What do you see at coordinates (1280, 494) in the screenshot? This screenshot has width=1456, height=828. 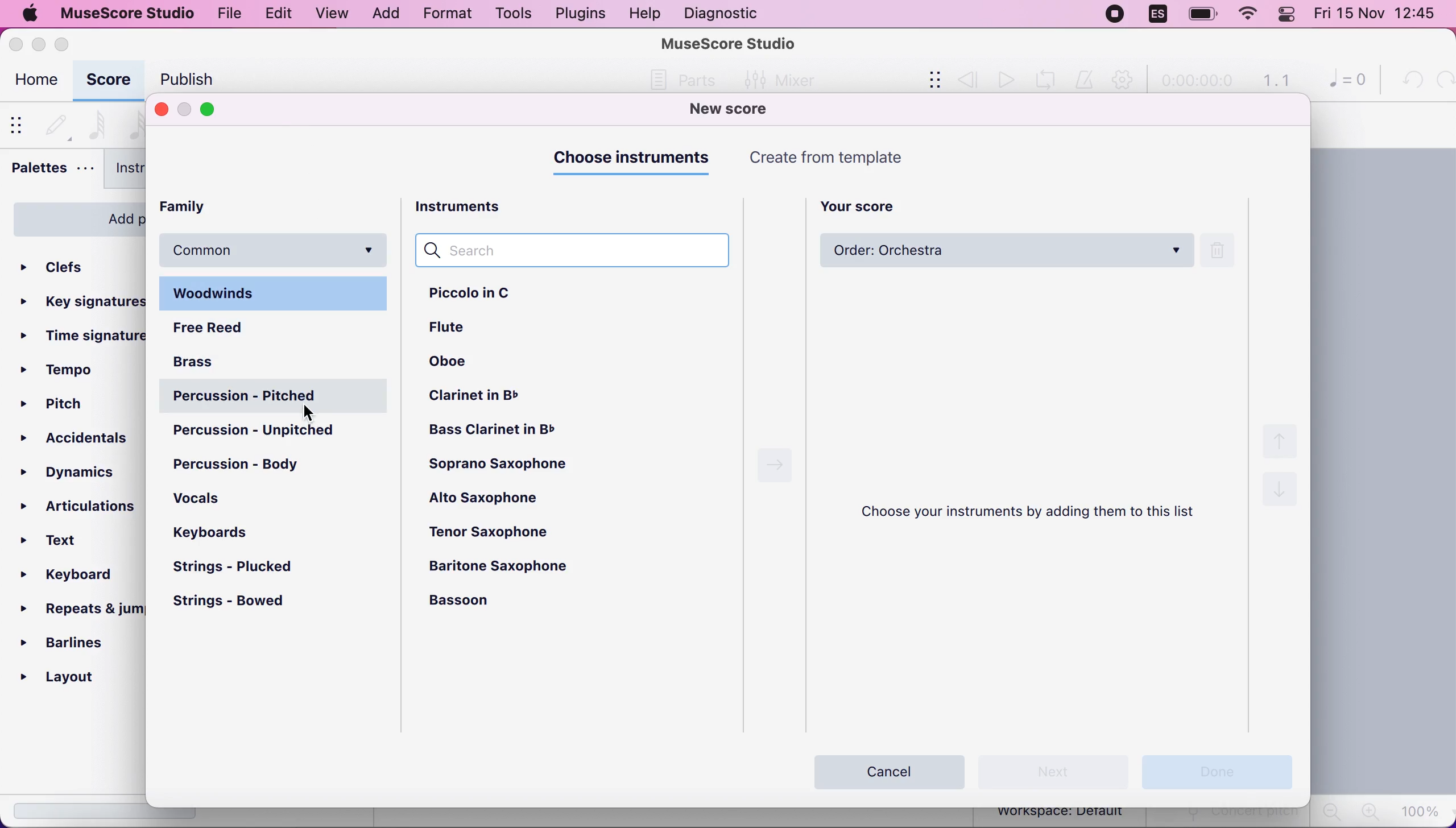 I see `down` at bounding box center [1280, 494].